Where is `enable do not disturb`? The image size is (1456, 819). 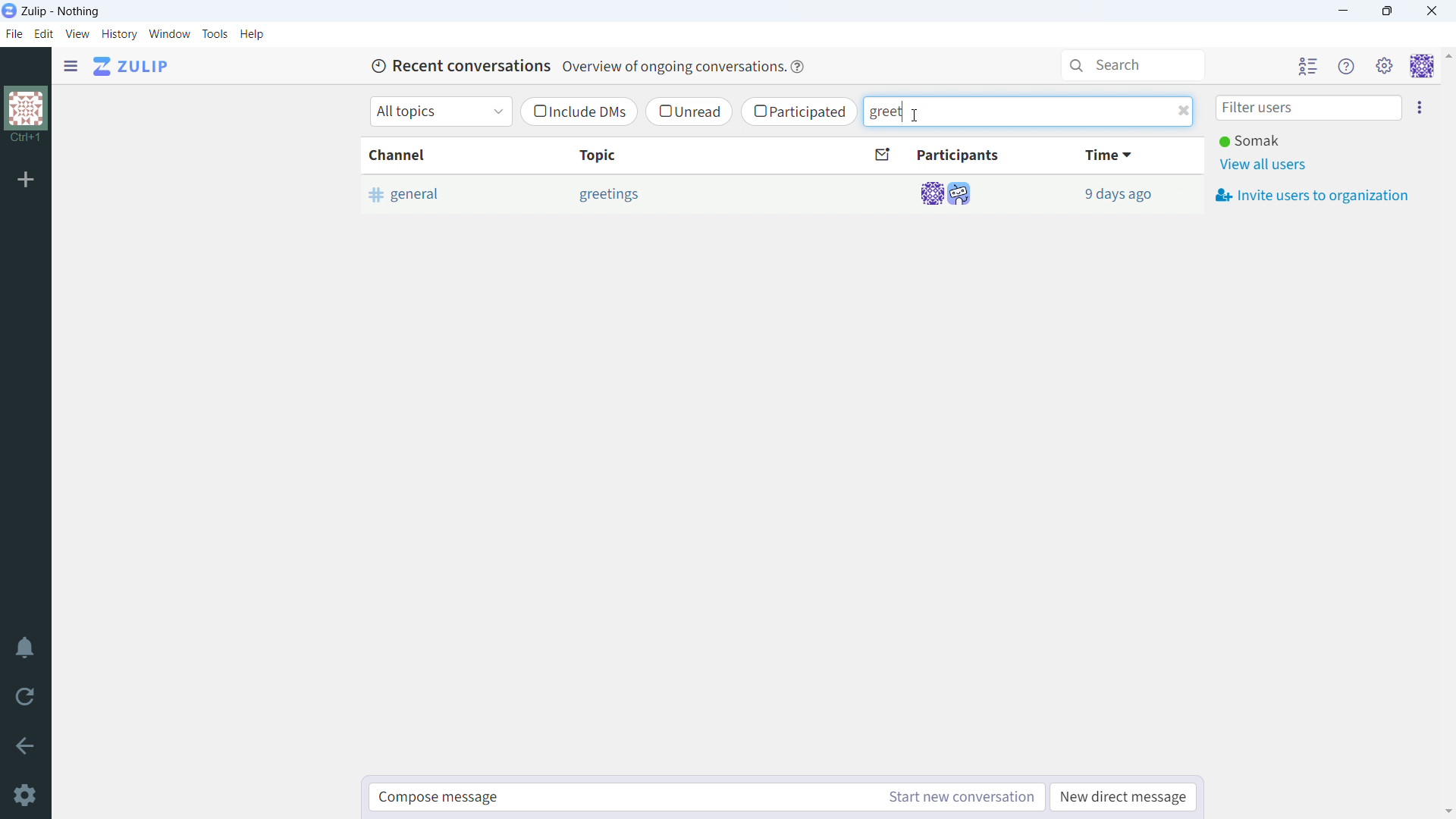 enable do not disturb is located at coordinates (26, 647).